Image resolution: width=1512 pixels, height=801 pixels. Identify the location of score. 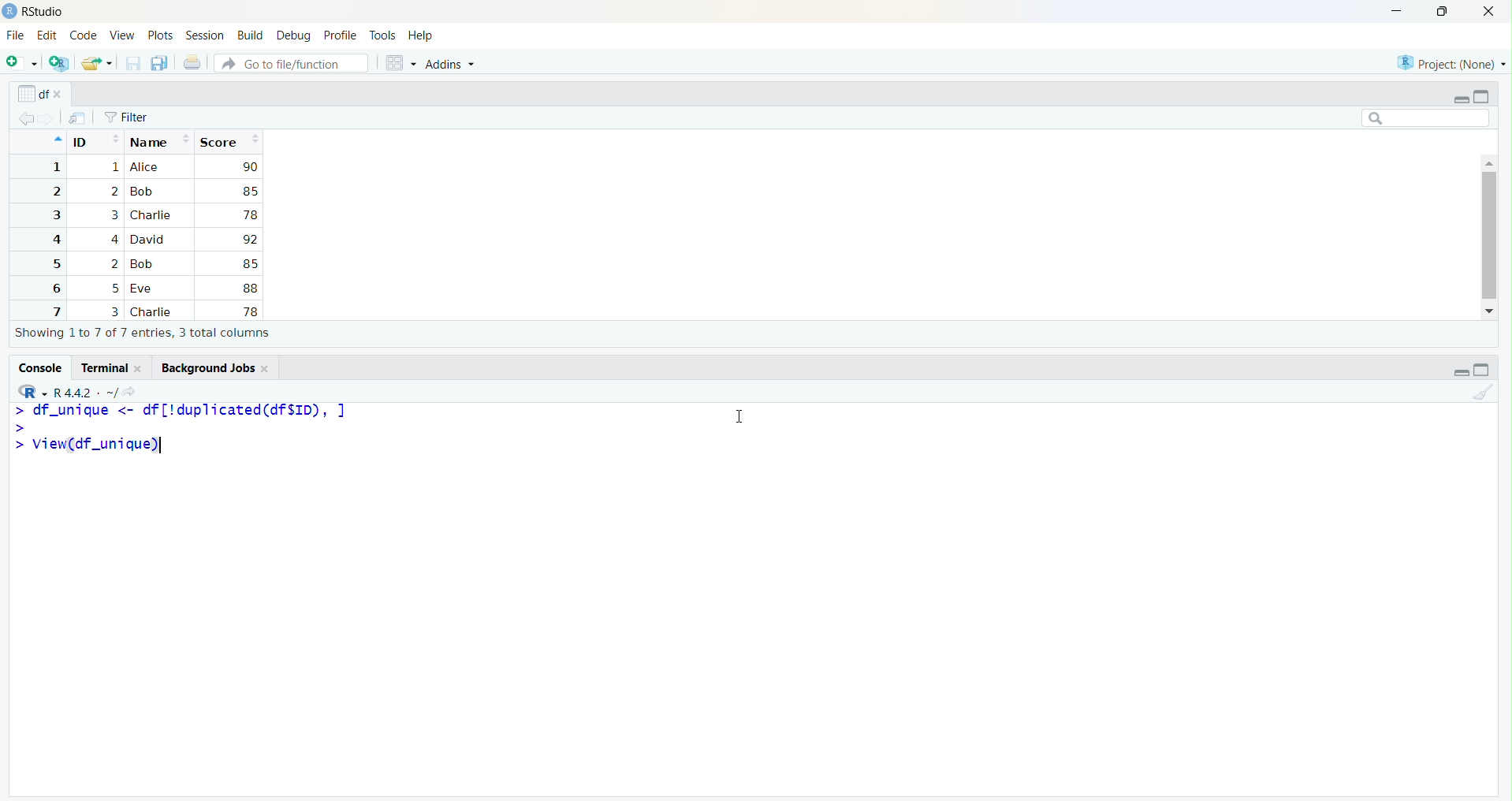
(229, 141).